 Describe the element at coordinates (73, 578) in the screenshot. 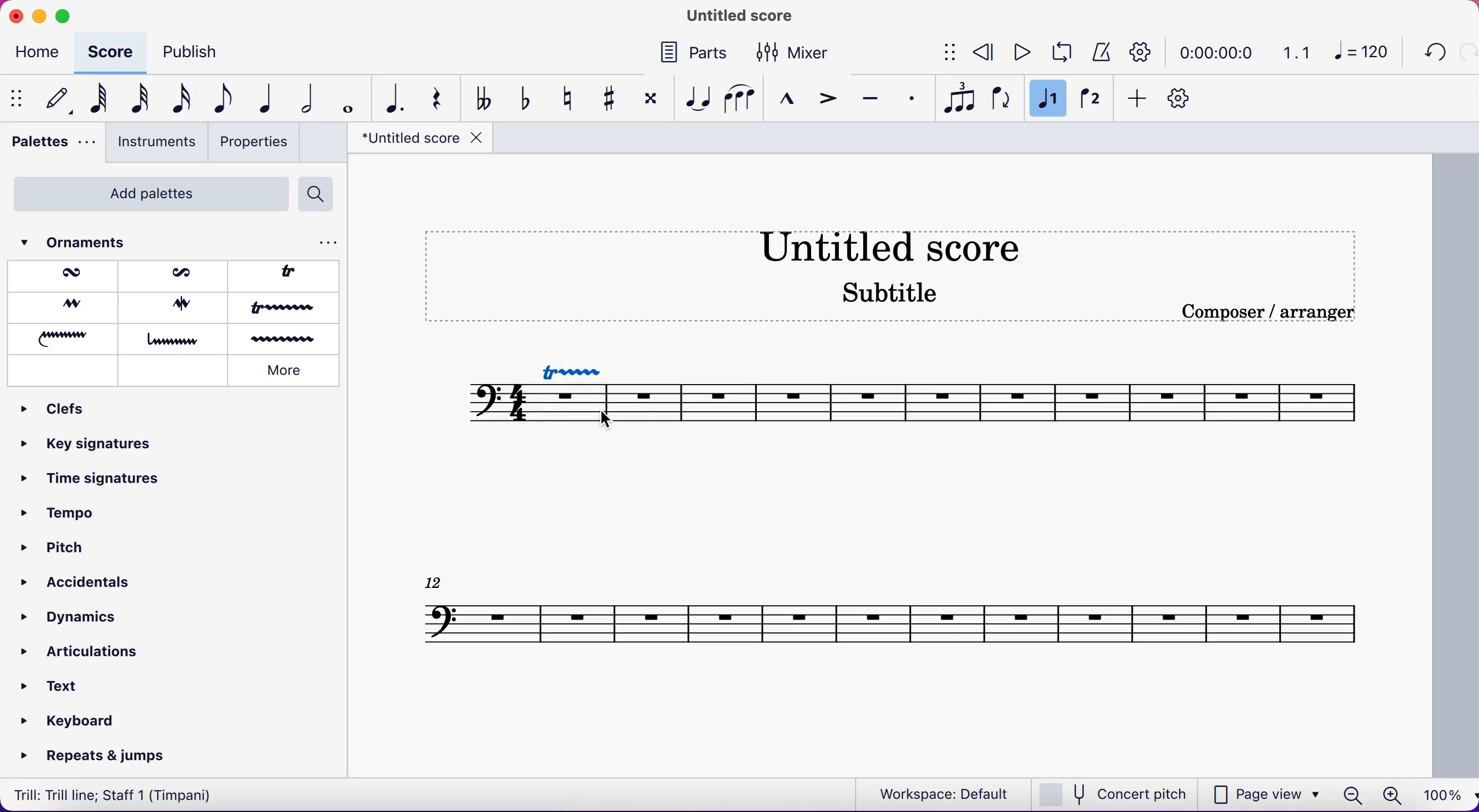

I see `accidentals` at that location.